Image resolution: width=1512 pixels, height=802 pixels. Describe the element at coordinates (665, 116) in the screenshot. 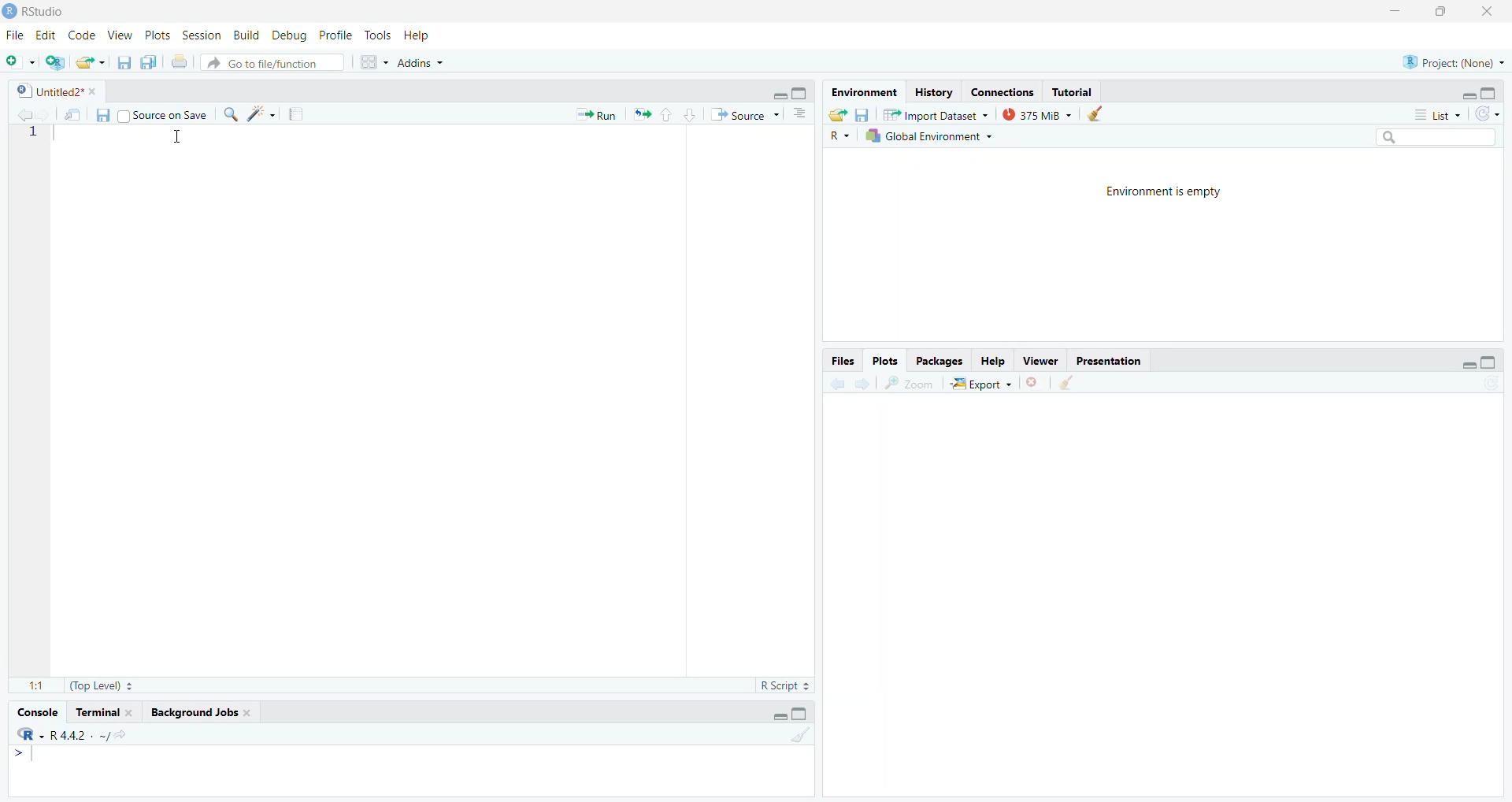

I see `go to previous section/chunk` at that location.